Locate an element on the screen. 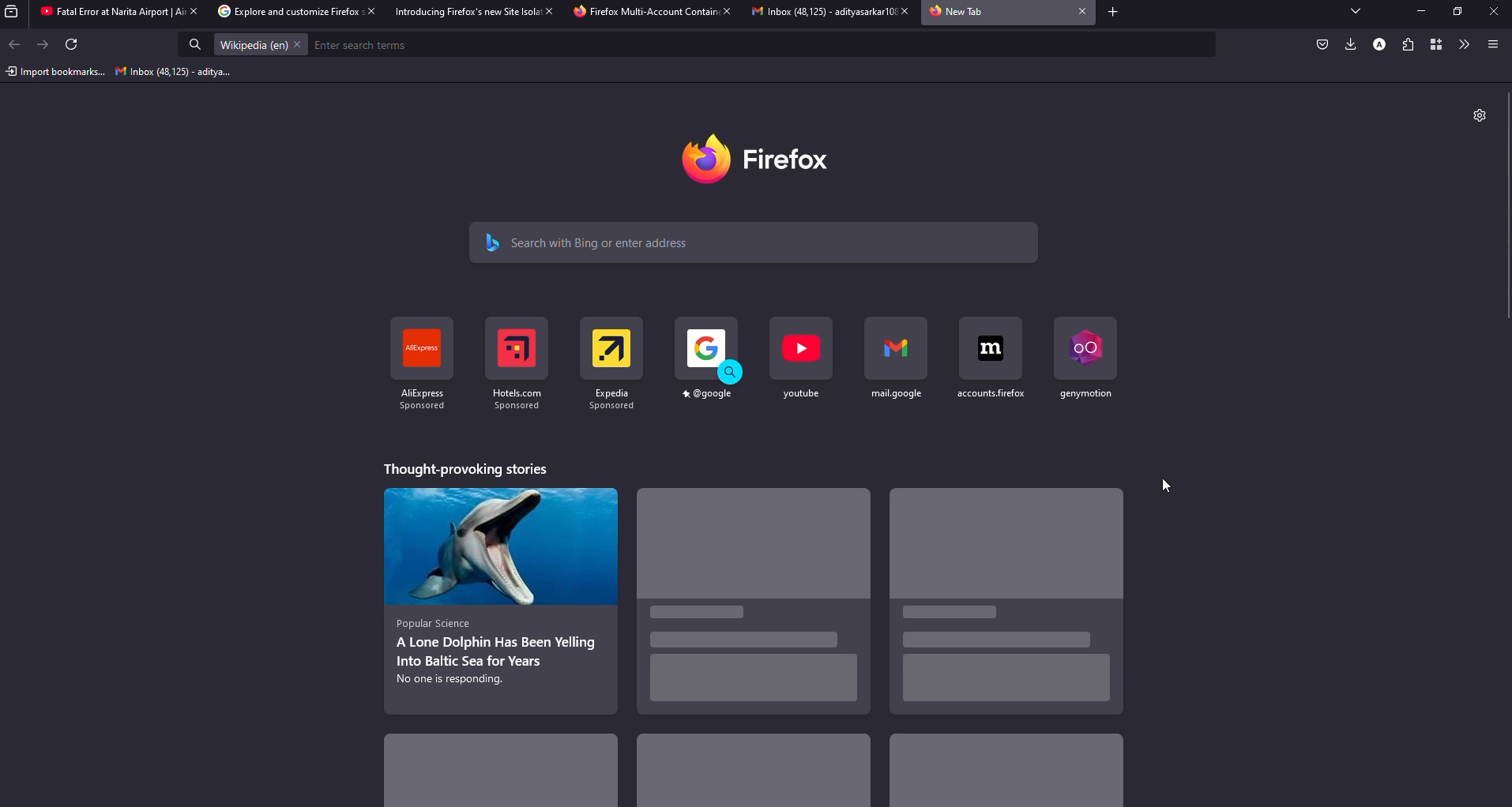  view recent is located at coordinates (14, 12).